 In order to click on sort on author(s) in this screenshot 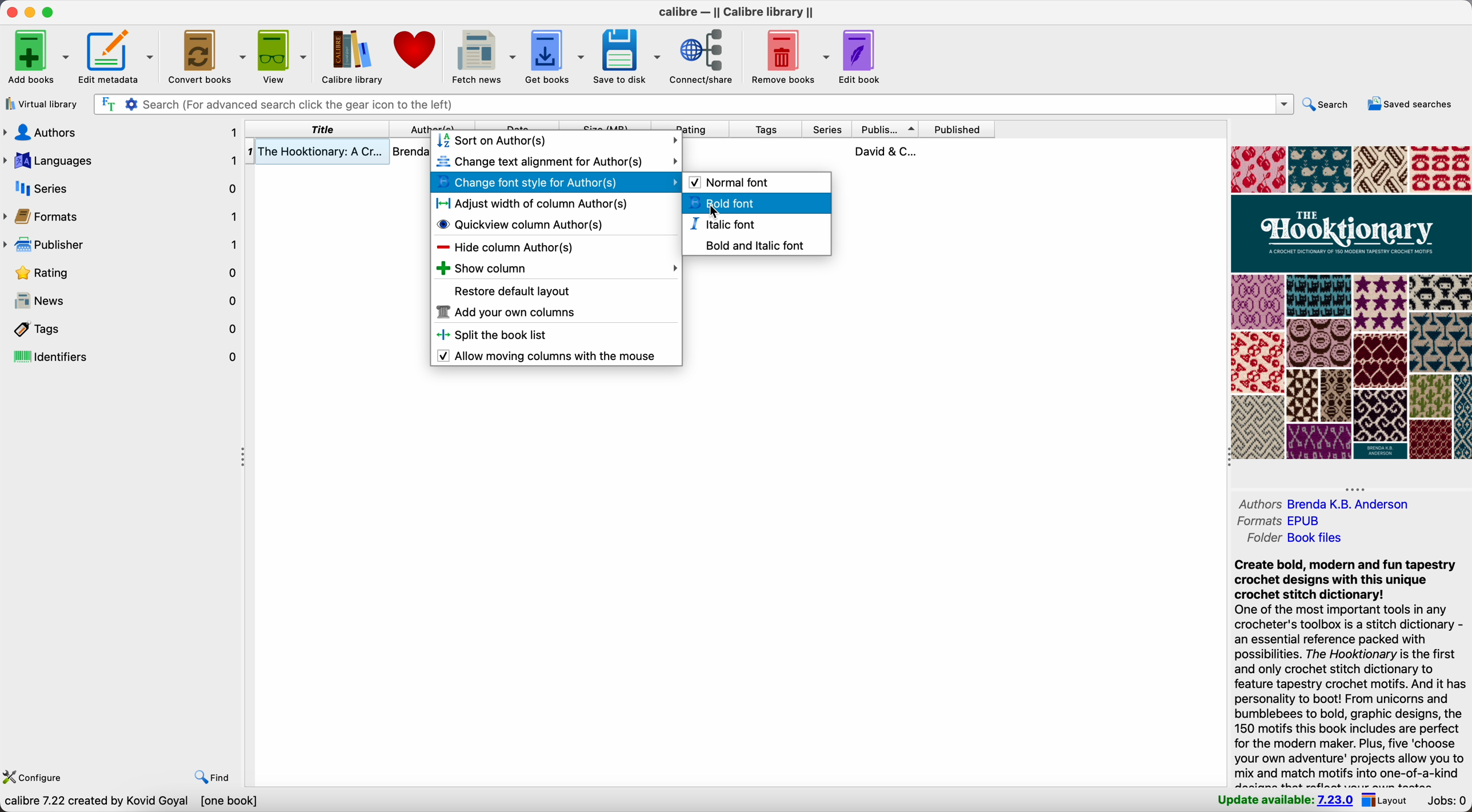, I will do `click(558, 141)`.